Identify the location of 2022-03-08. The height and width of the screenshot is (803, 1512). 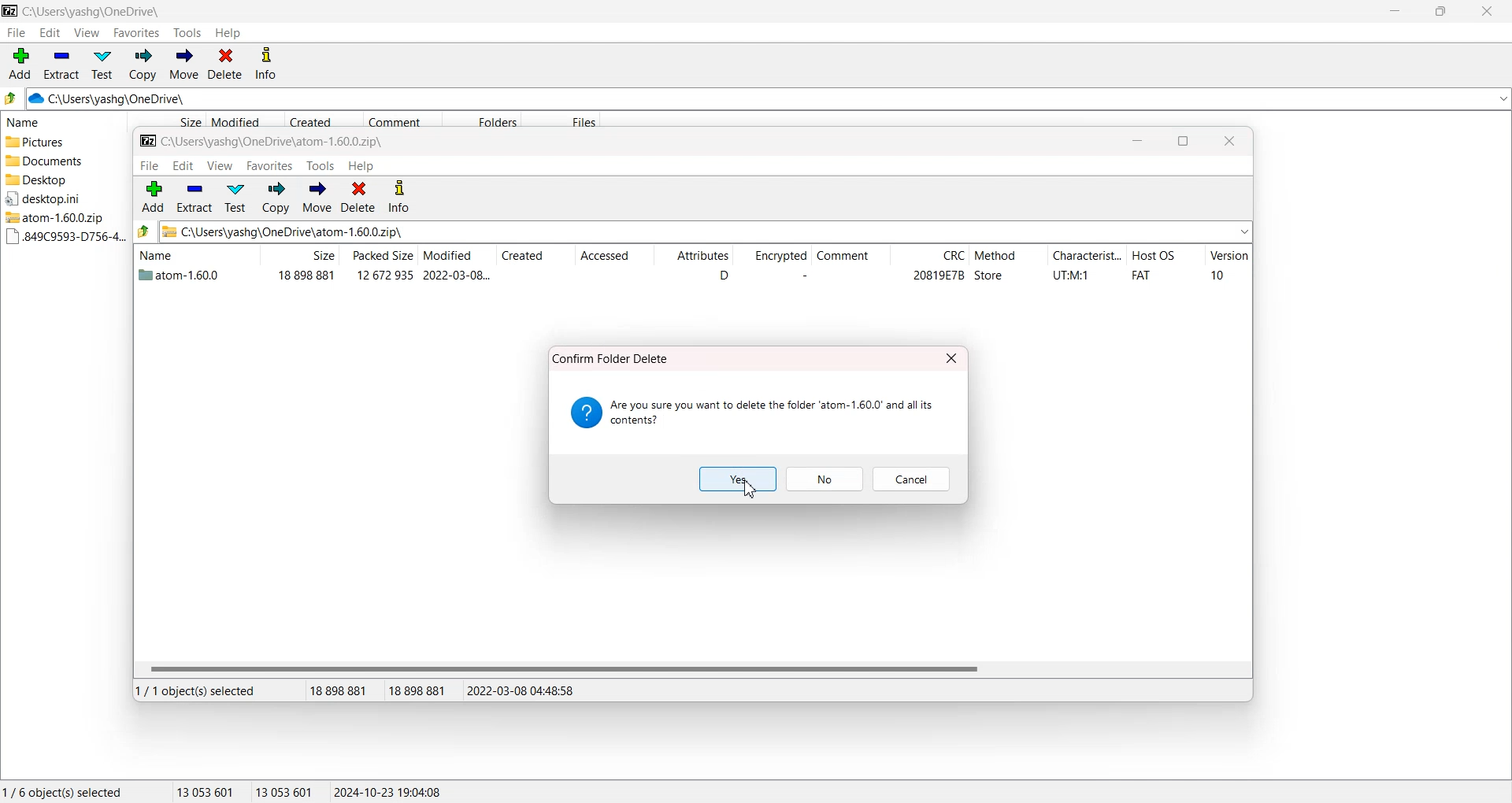
(457, 275).